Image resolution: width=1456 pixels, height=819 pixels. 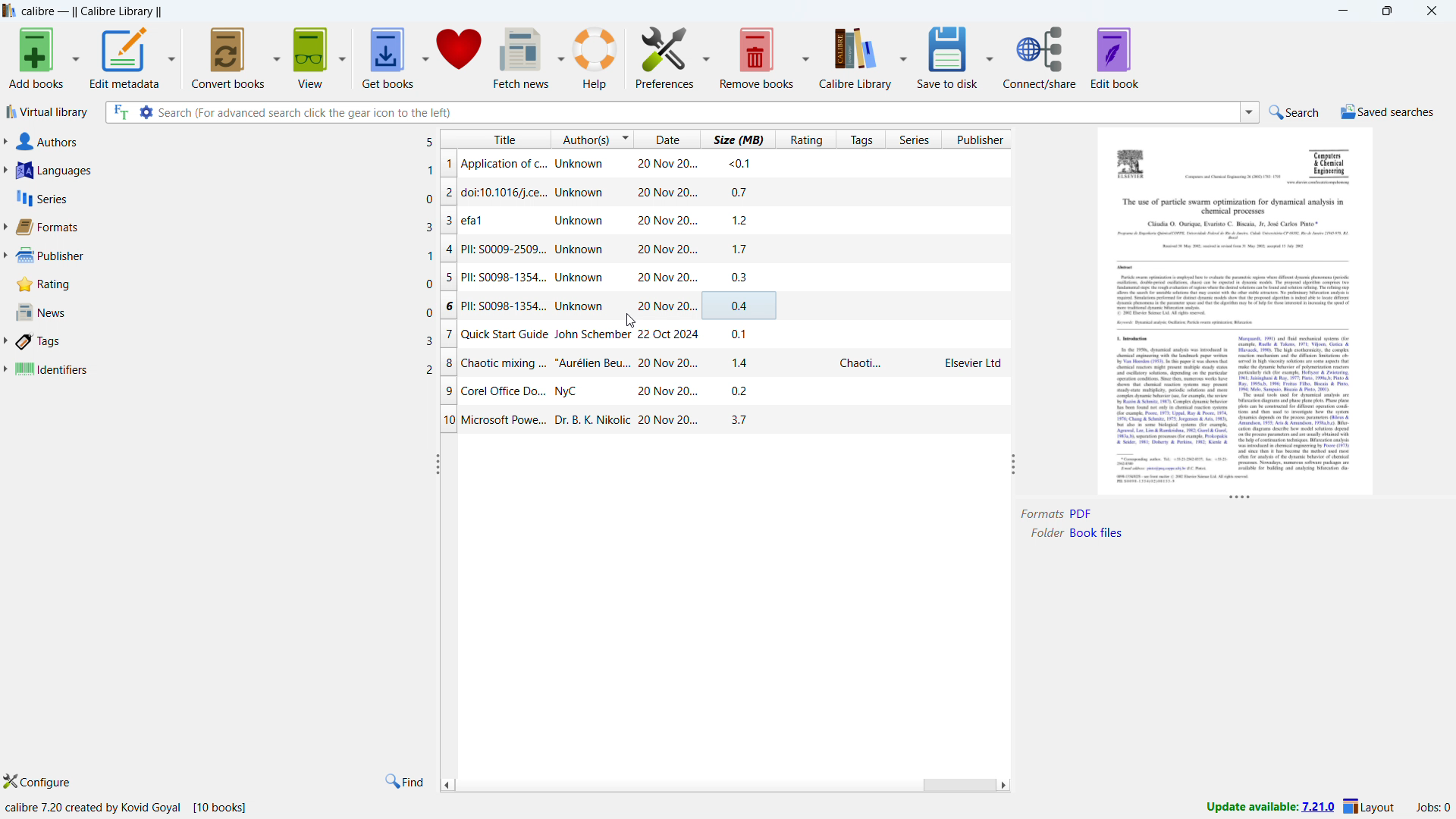 What do you see at coordinates (716, 390) in the screenshot?
I see `Corel Office Do..` at bounding box center [716, 390].